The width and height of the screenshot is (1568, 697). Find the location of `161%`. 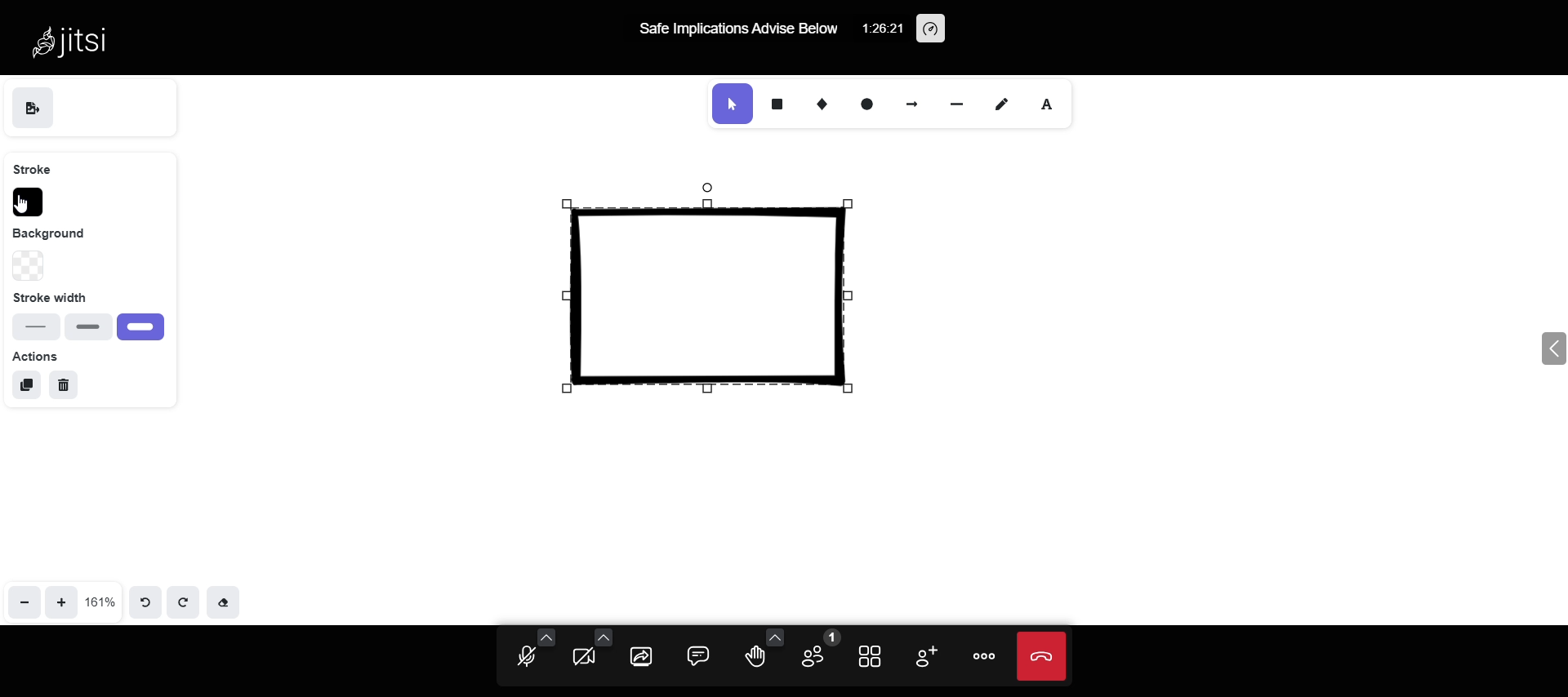

161% is located at coordinates (100, 599).